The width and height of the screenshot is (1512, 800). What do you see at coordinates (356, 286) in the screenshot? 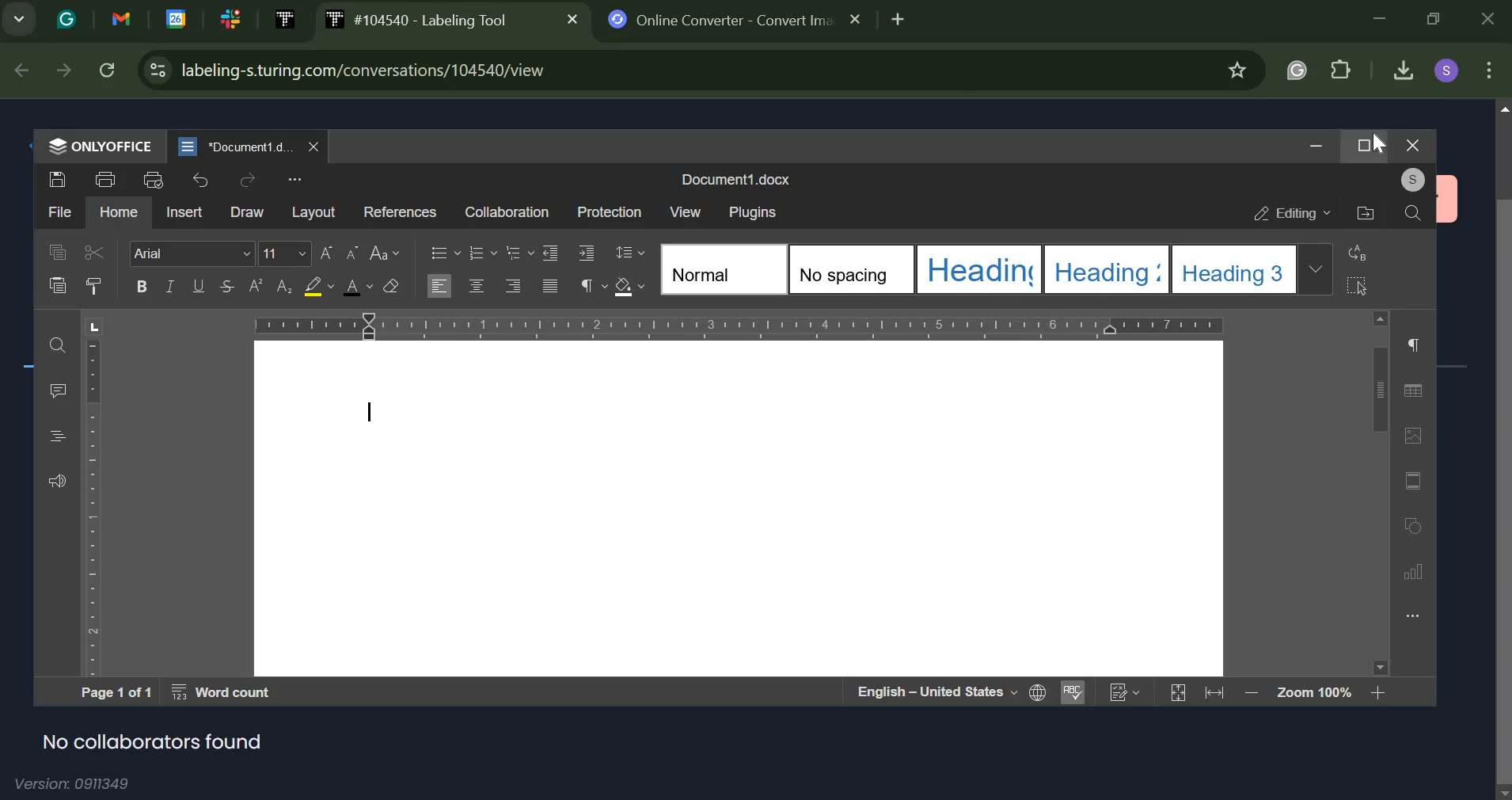
I see `text color` at bounding box center [356, 286].